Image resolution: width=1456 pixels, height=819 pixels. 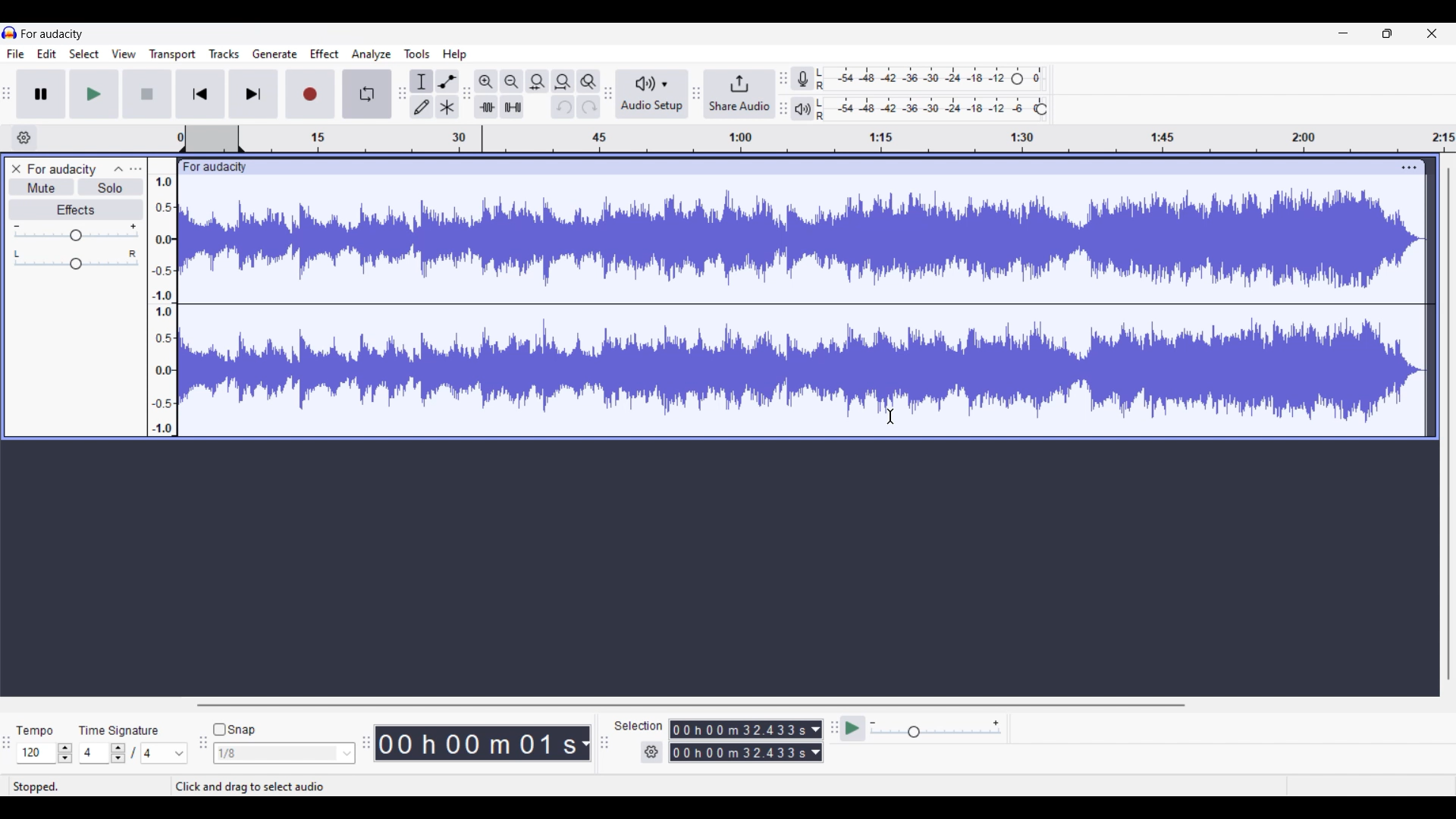 I want to click on Envelop tool, so click(x=447, y=82).